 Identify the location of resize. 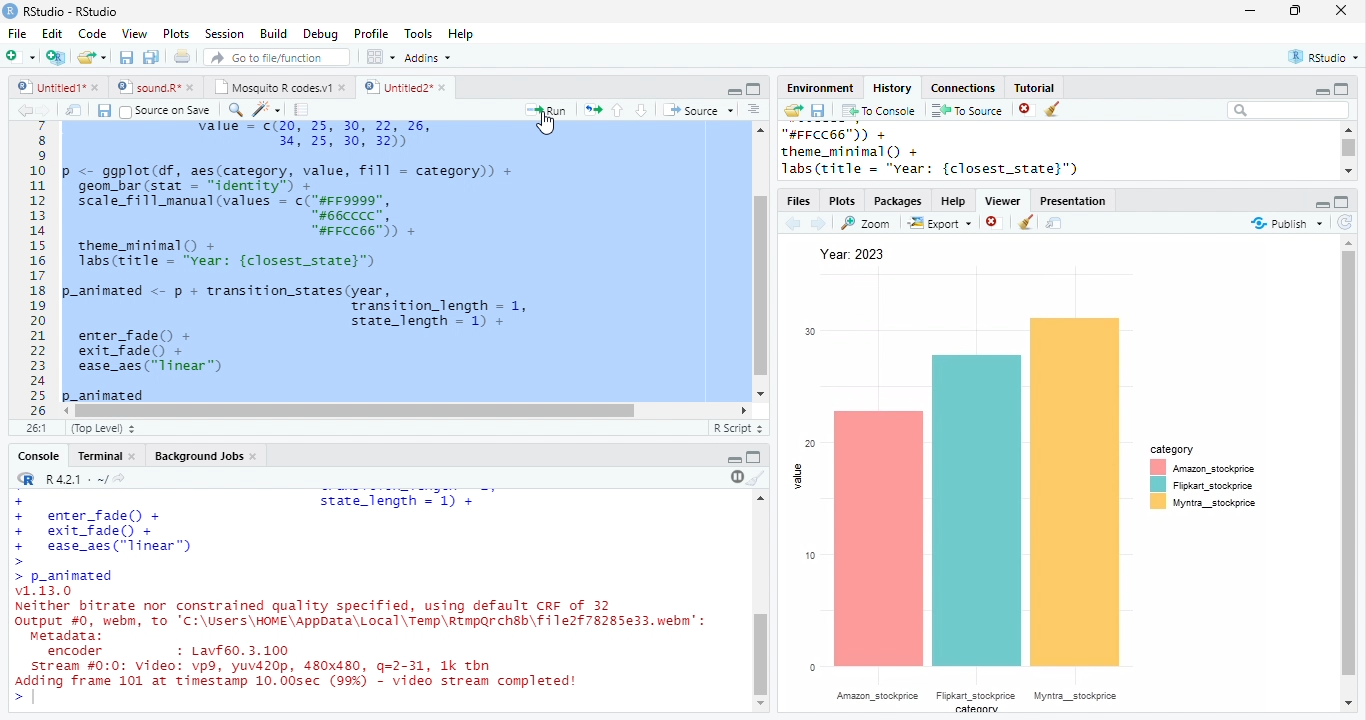
(1295, 11).